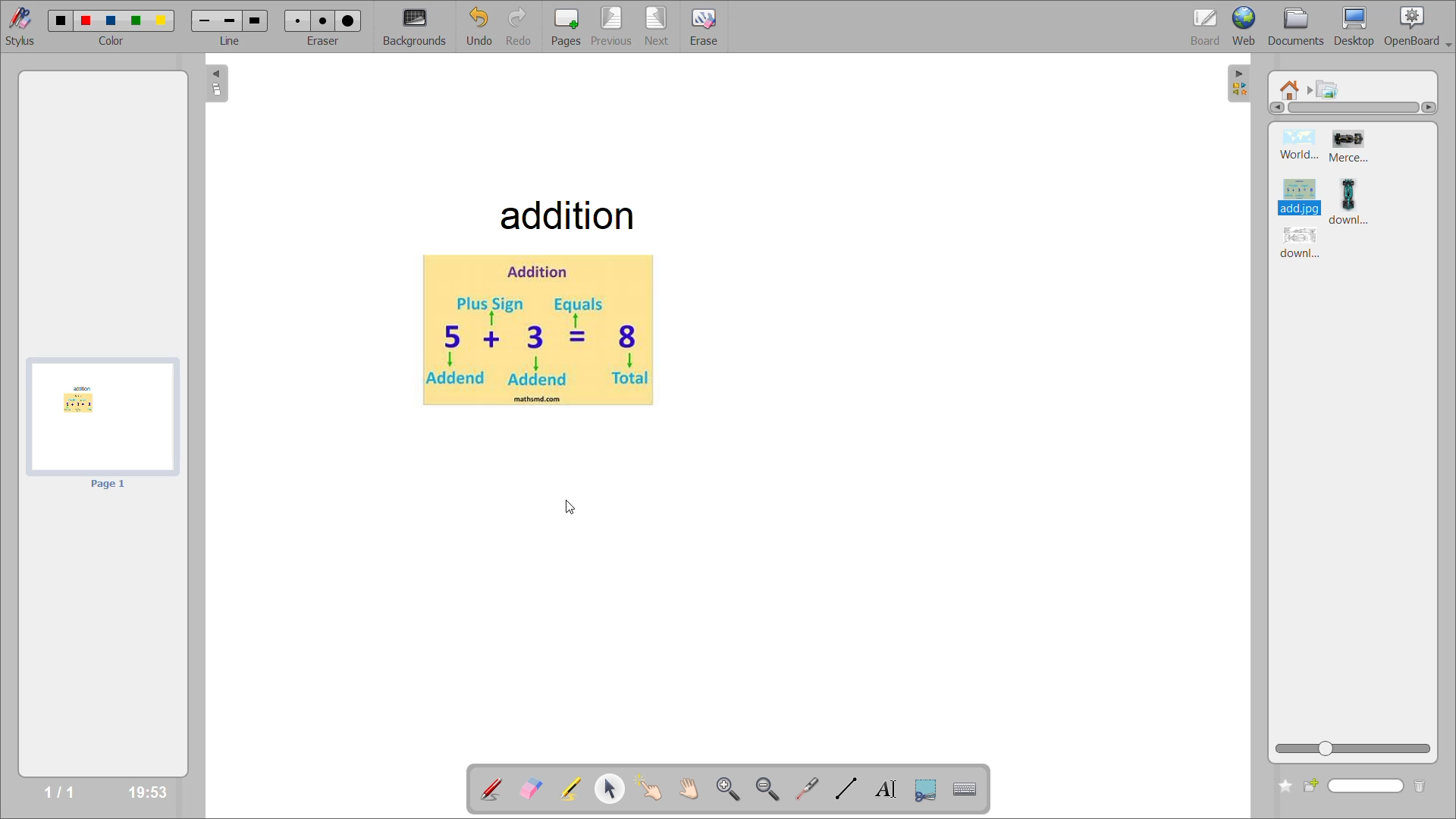 The image size is (1456, 819). I want to click on image added, so click(536, 331).